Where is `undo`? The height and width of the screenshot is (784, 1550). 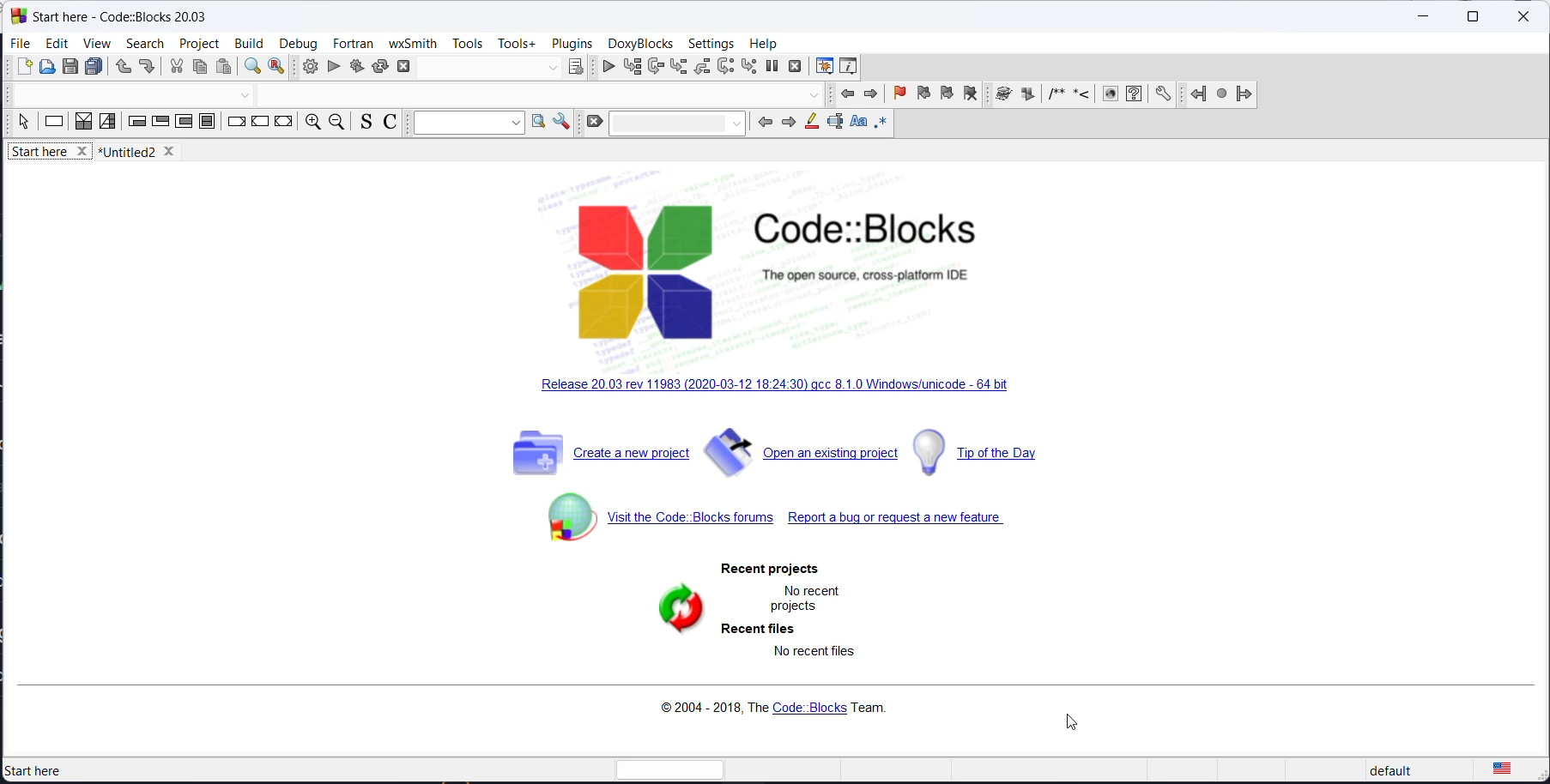 undo is located at coordinates (119, 69).